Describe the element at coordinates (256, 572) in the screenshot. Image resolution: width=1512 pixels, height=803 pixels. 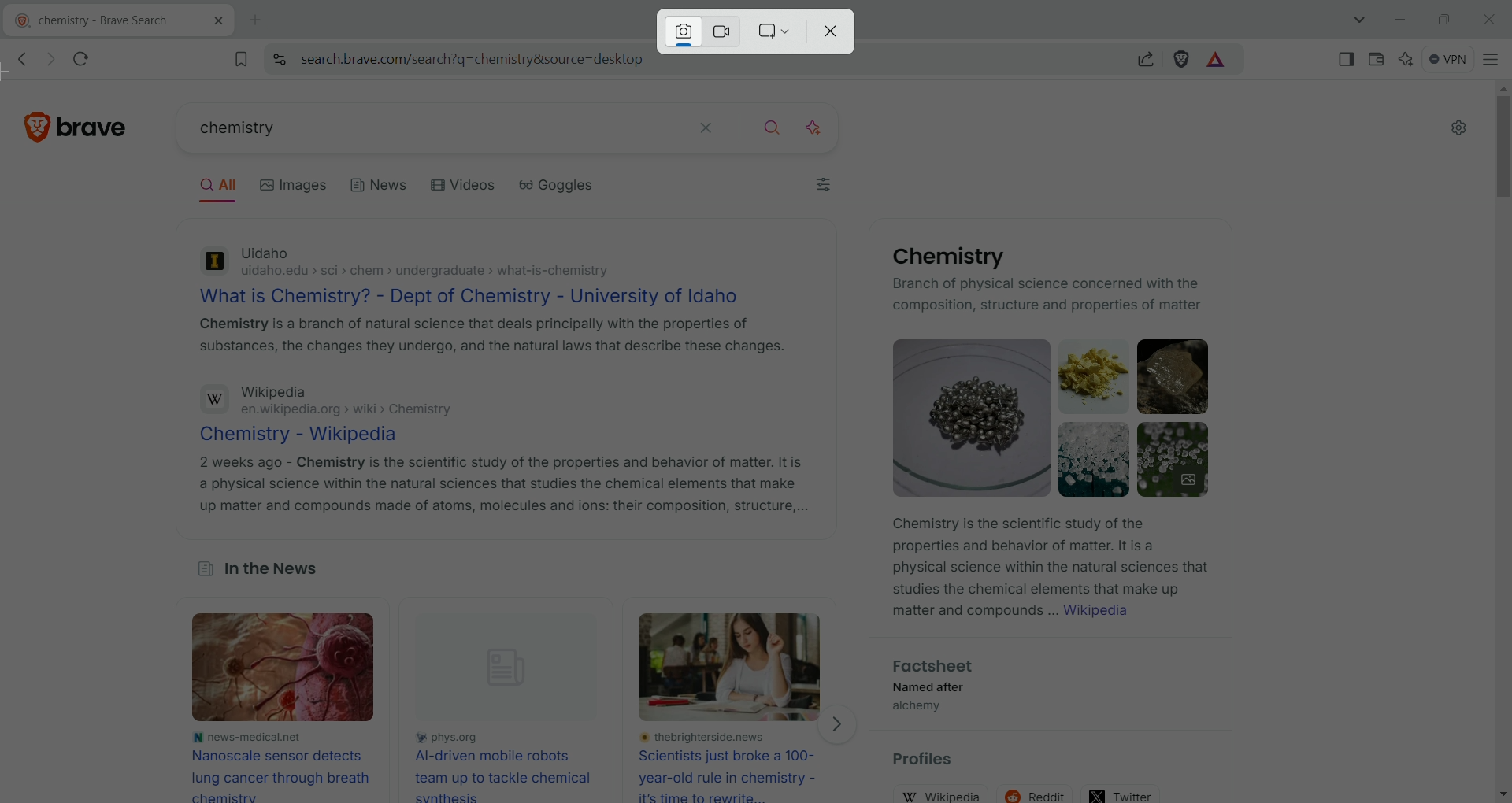
I see `In the News` at that location.